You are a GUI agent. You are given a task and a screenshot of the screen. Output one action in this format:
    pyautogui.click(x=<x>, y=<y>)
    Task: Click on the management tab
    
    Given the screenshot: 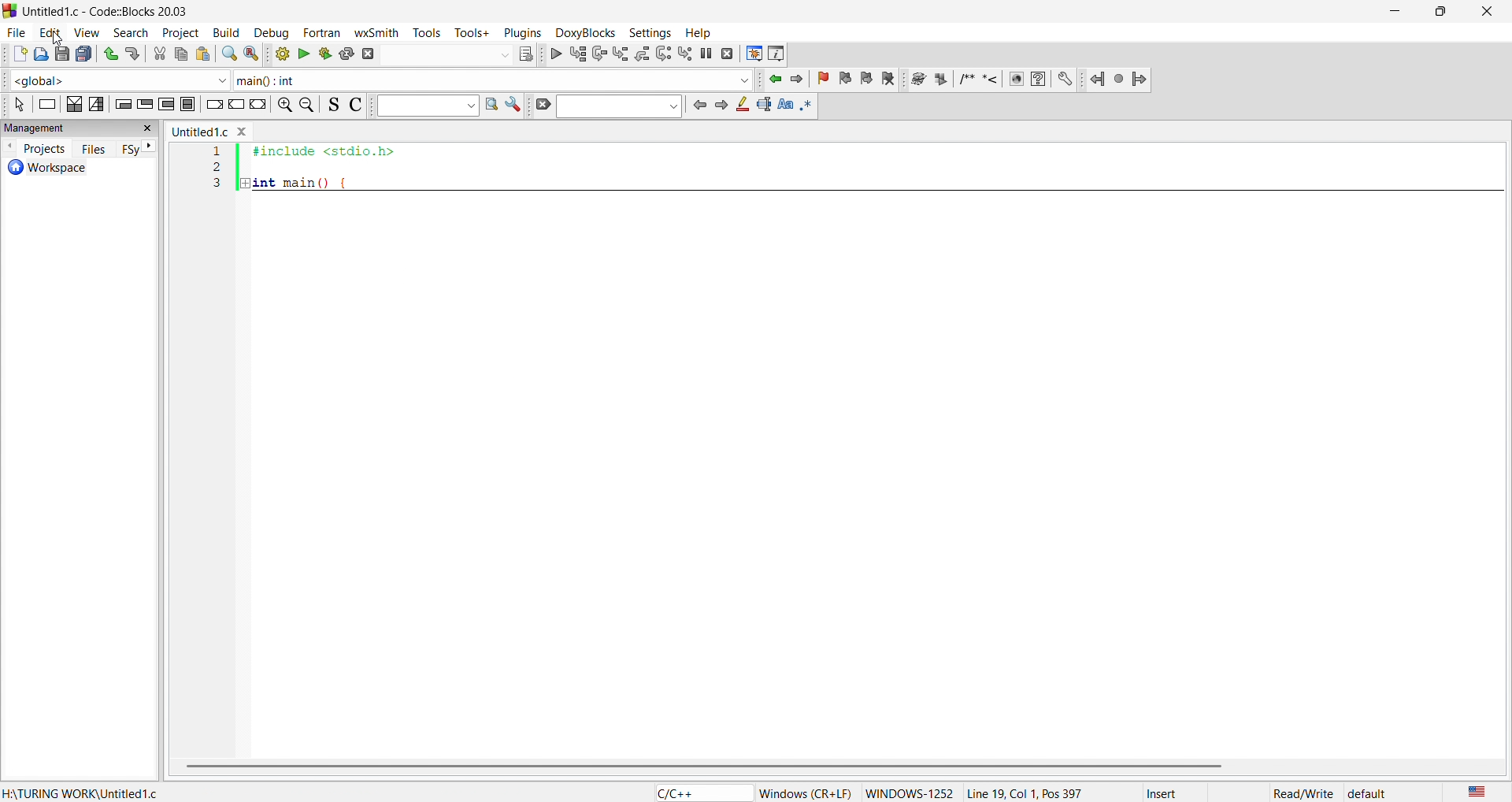 What is the action you would take?
    pyautogui.click(x=67, y=127)
    